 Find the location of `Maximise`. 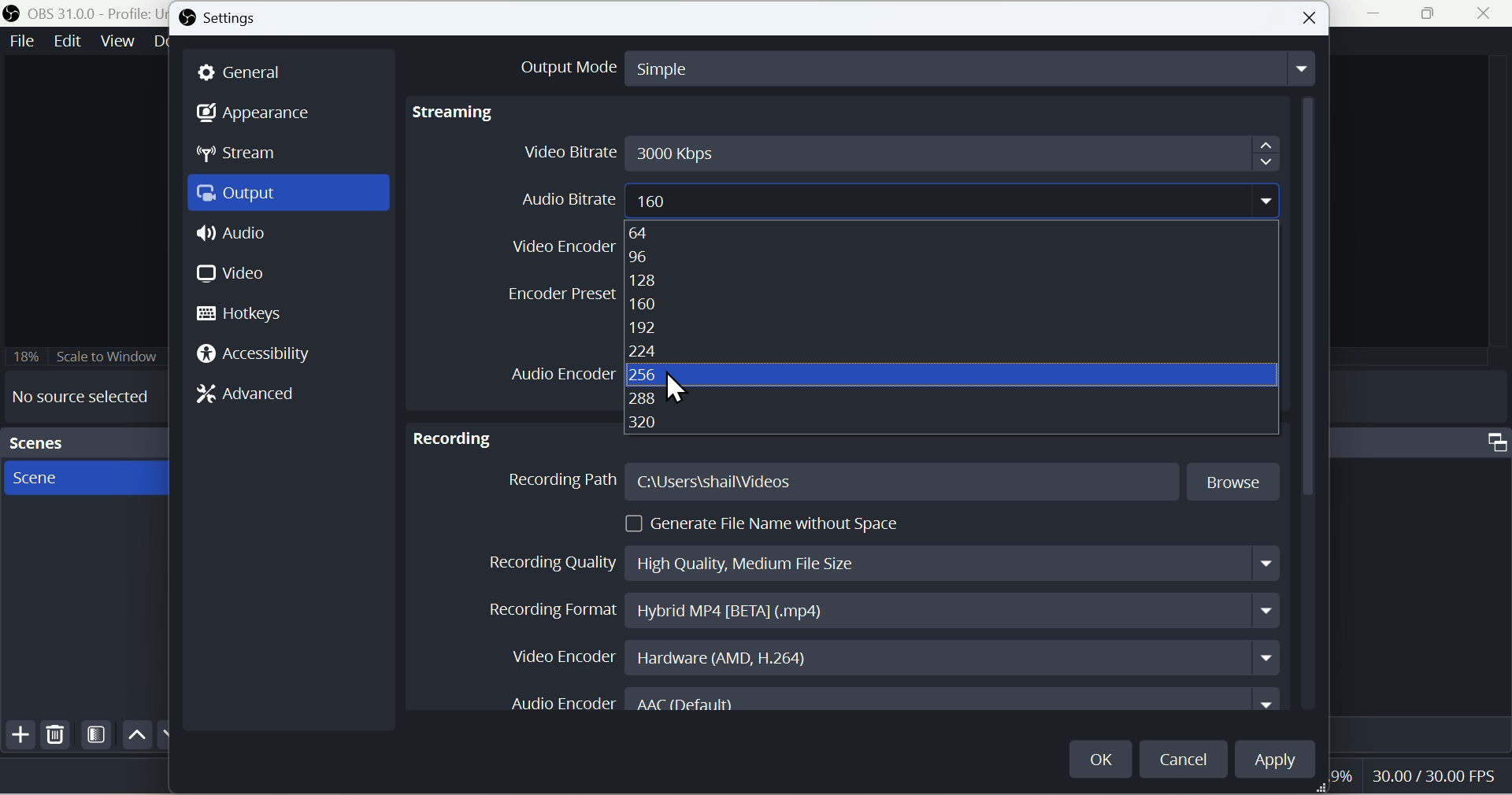

Maximise is located at coordinates (1436, 14).